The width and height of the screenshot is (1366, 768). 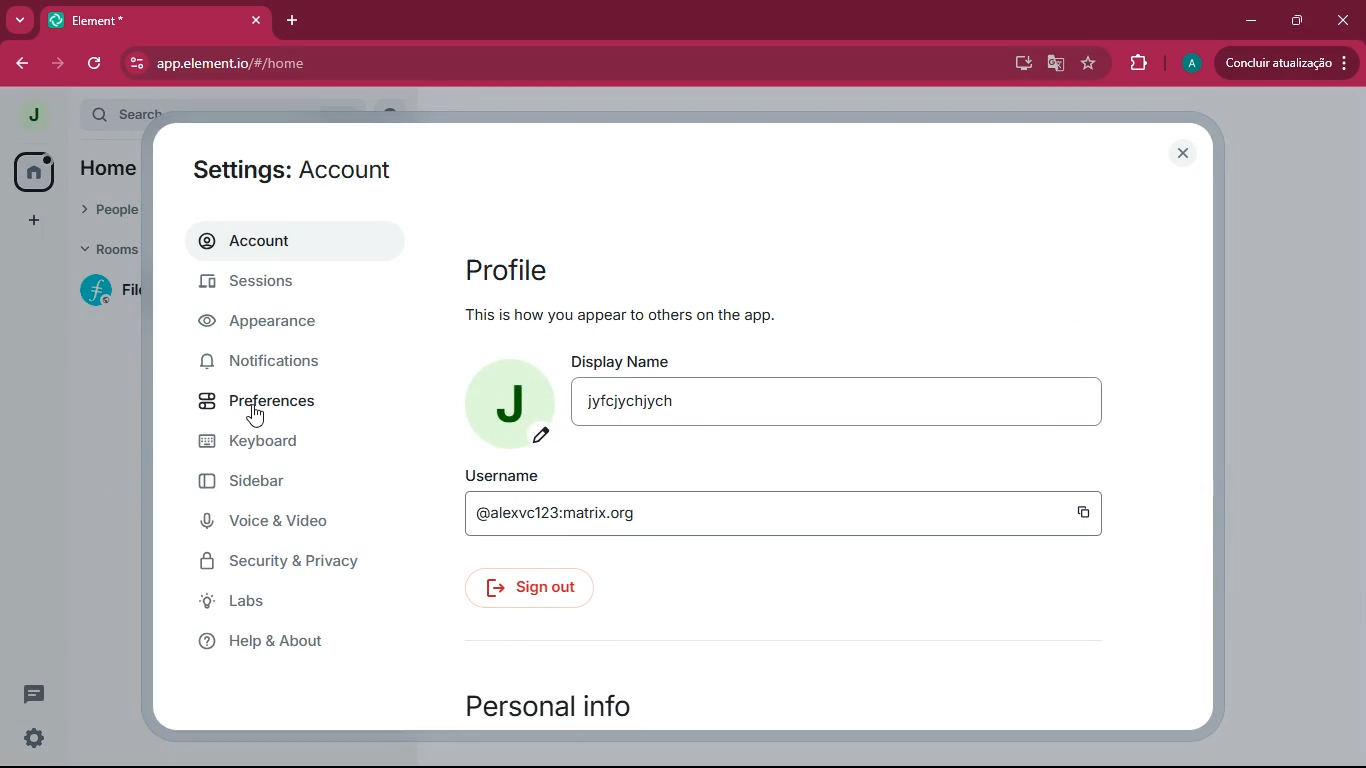 I want to click on appearance, so click(x=276, y=323).